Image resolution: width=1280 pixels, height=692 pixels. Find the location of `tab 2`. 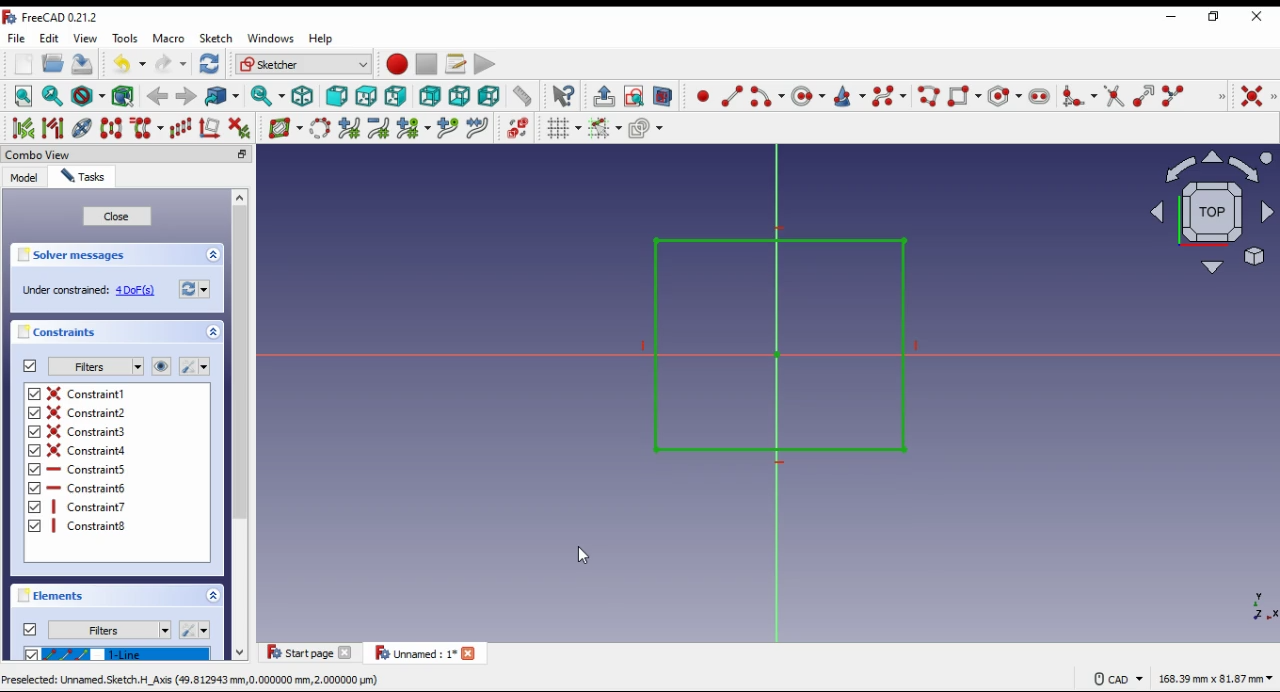

tab 2 is located at coordinates (426, 653).